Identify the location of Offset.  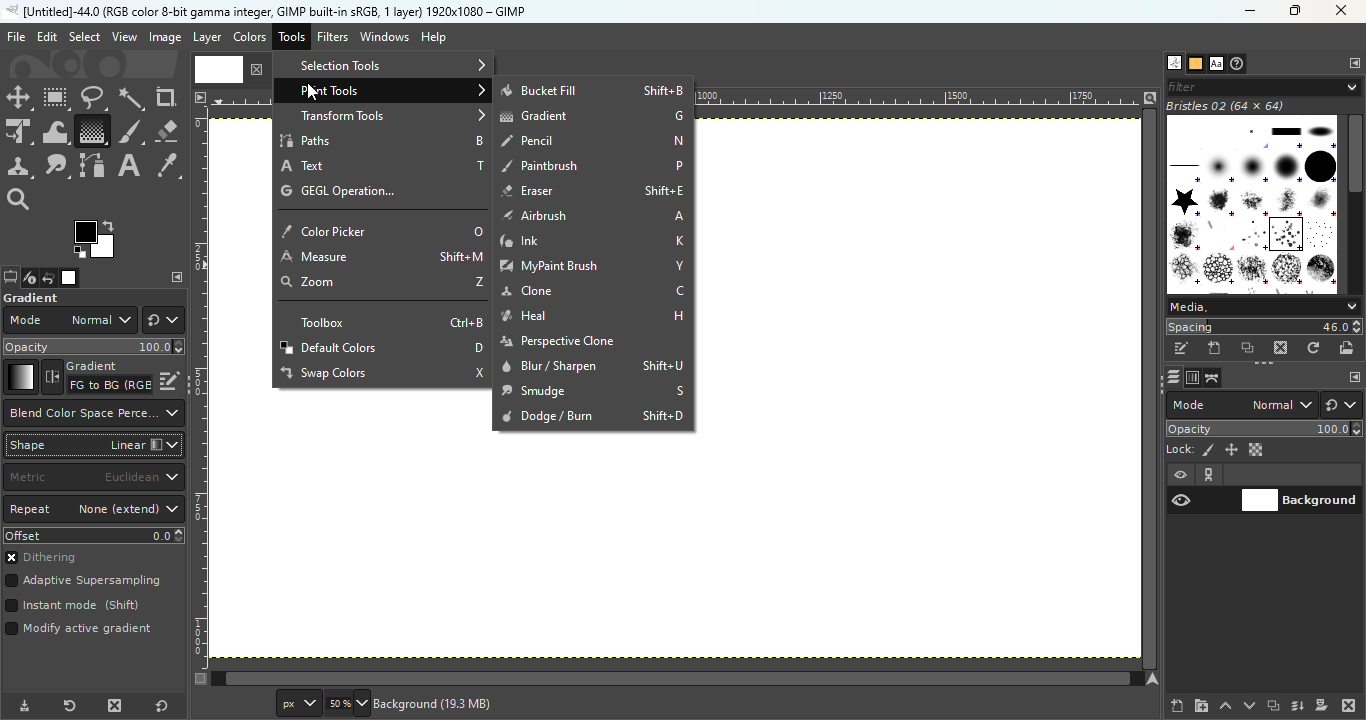
(94, 535).